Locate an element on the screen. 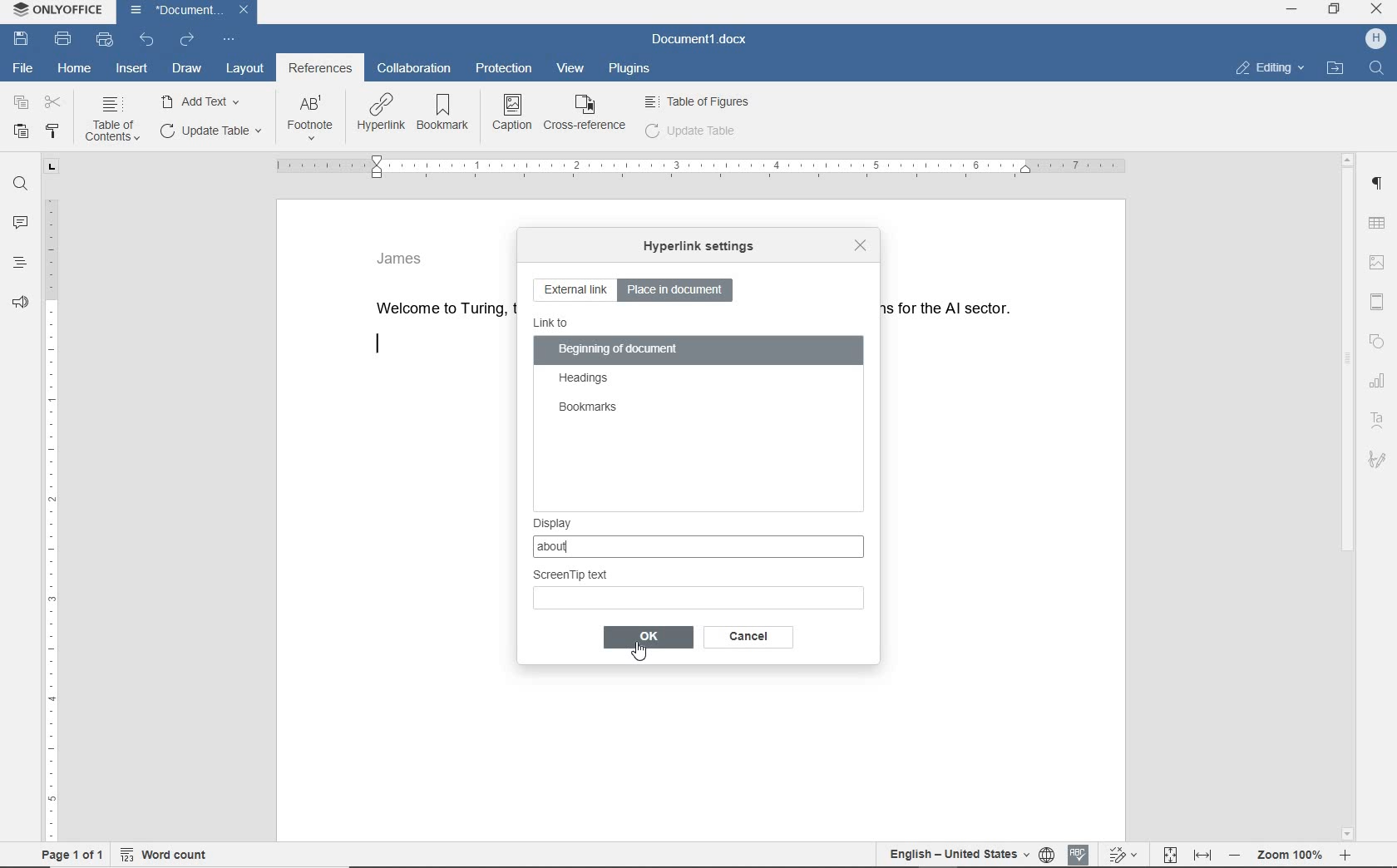 The height and width of the screenshot is (868, 1397). set document language is located at coordinates (1047, 856).